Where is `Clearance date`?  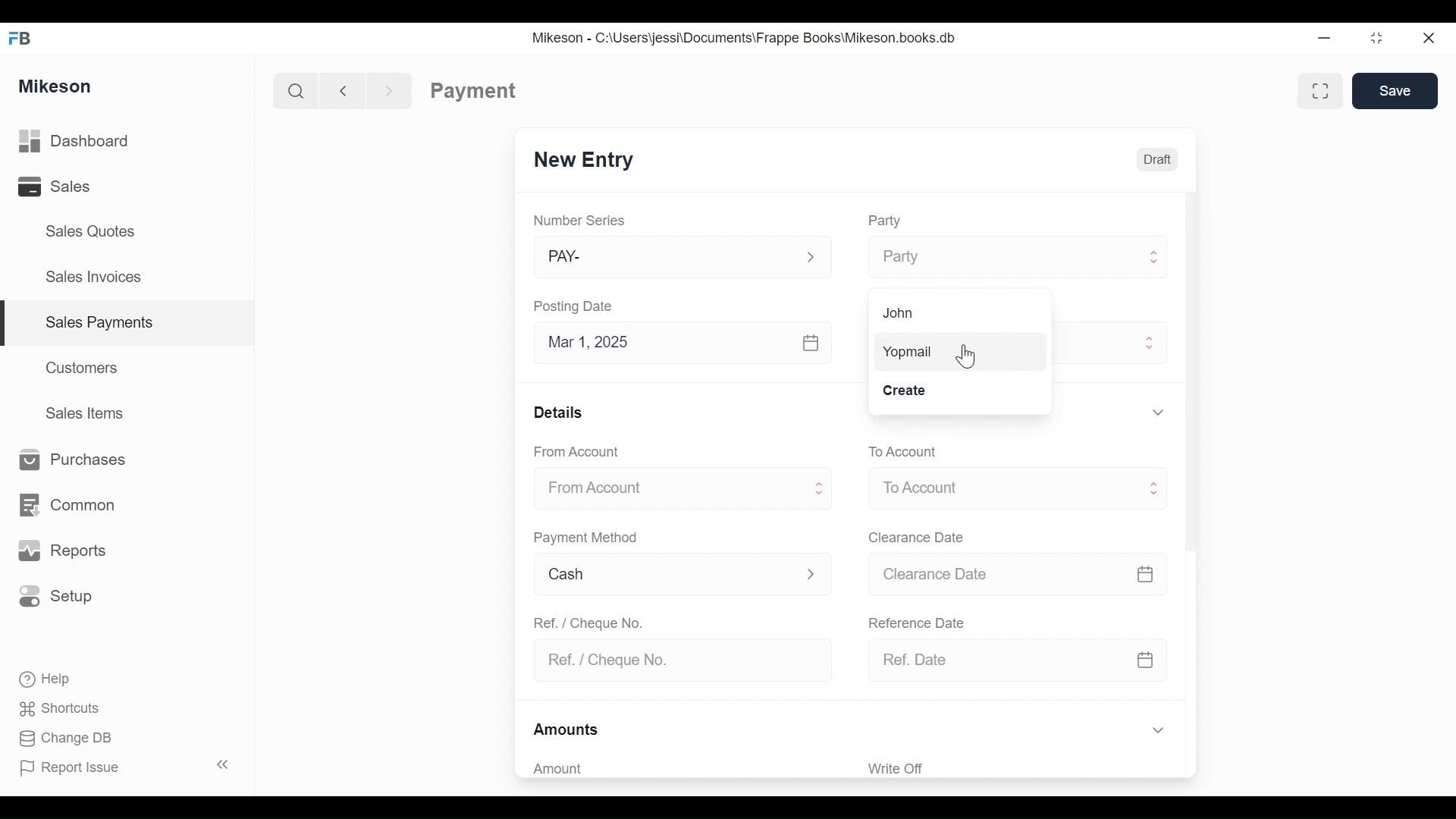
Clearance date is located at coordinates (1023, 573).